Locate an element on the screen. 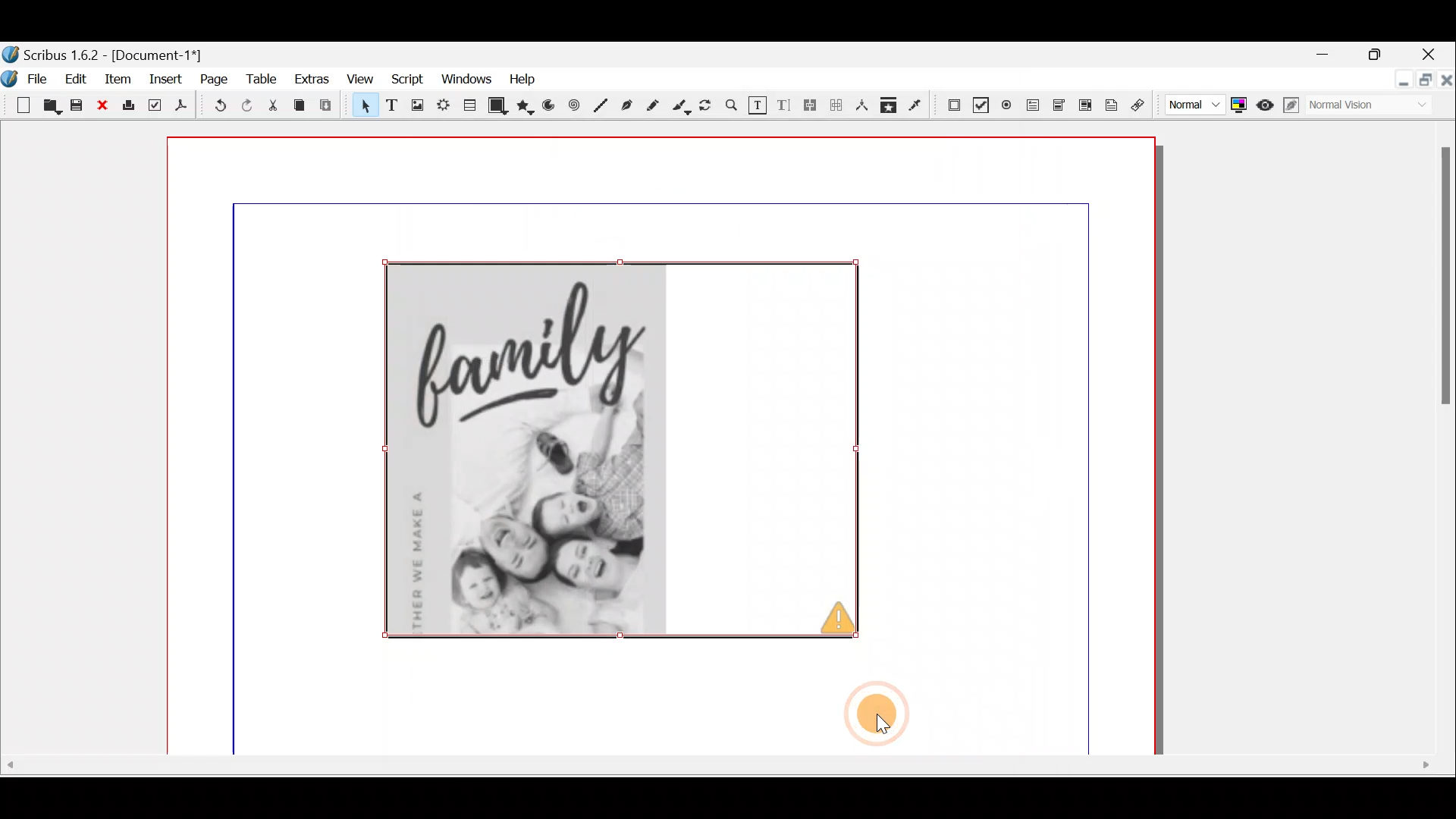 The image size is (1456, 819). Logo is located at coordinates (12, 78).